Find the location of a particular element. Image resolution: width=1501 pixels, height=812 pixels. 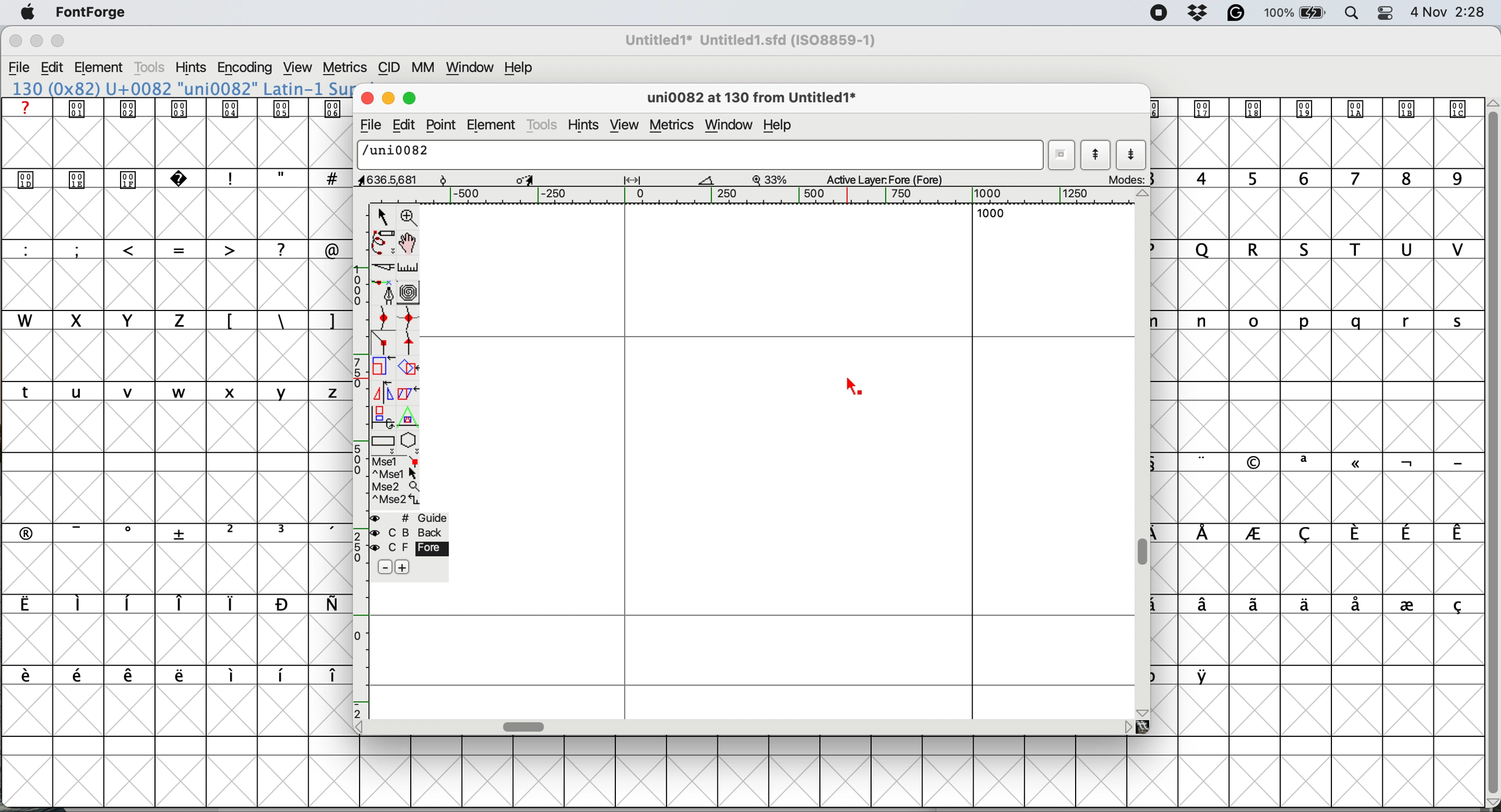

window is located at coordinates (732, 125).